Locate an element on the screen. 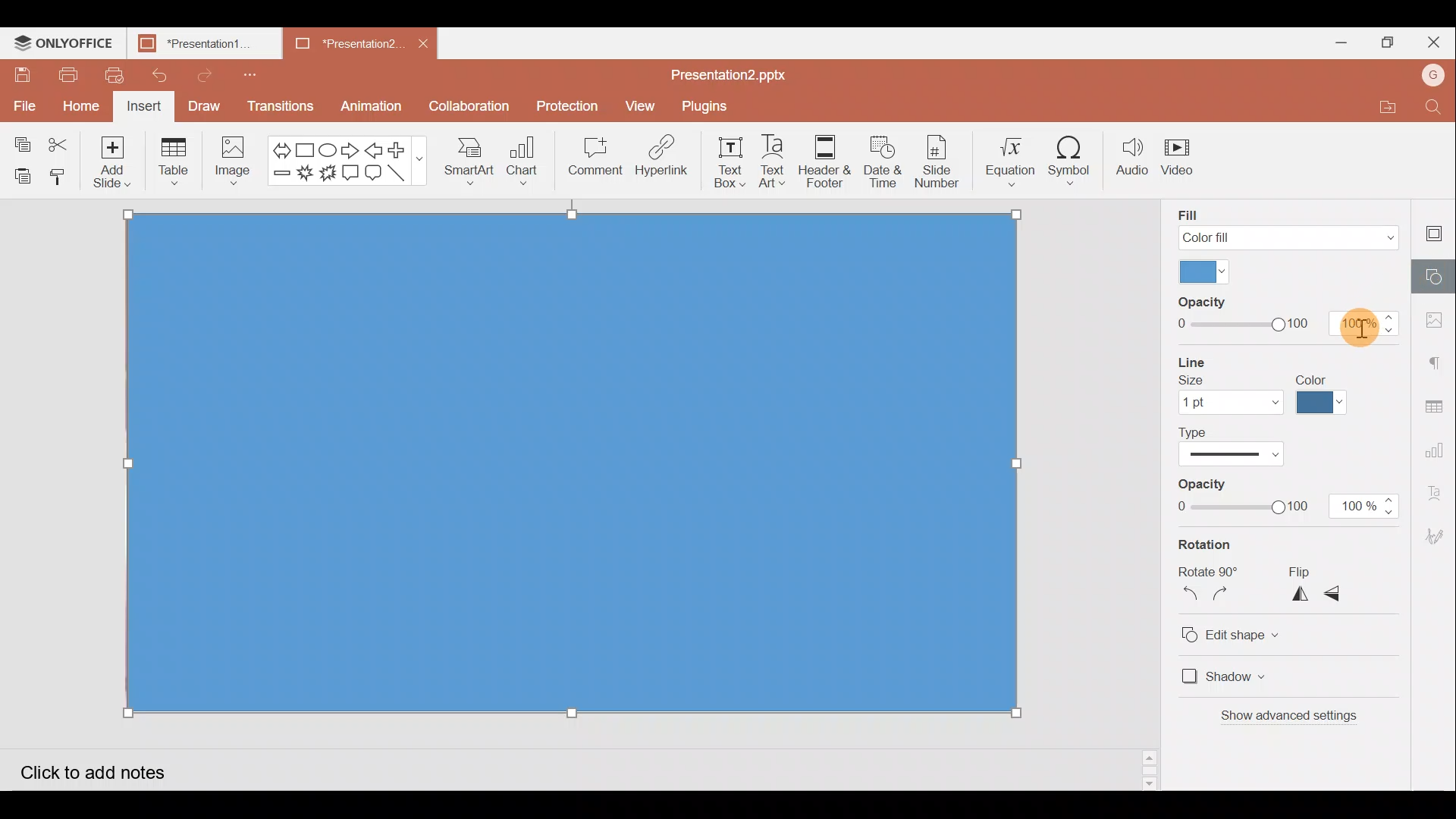 This screenshot has width=1456, height=819. Plugins is located at coordinates (710, 106).